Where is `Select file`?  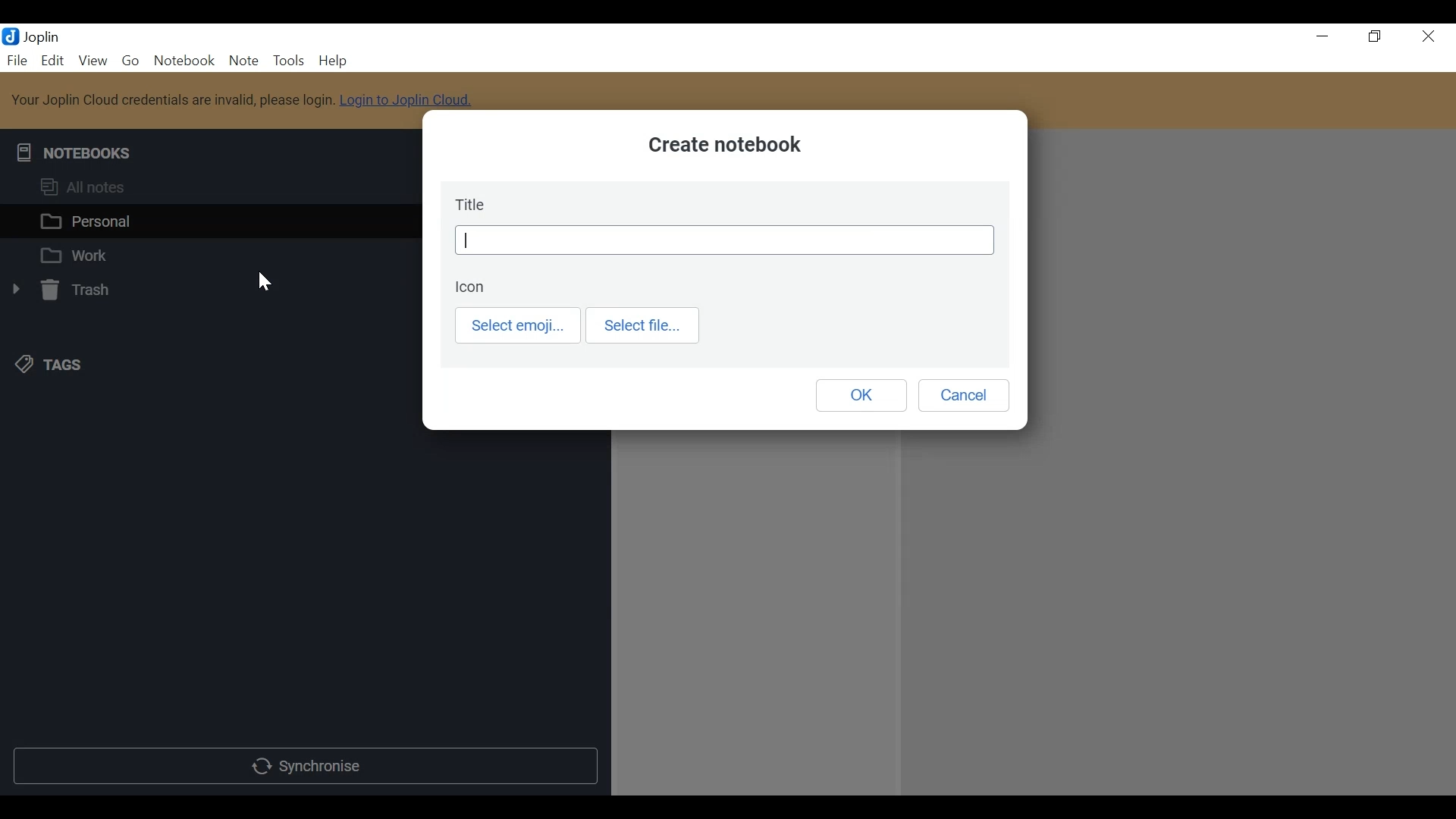
Select file is located at coordinates (644, 325).